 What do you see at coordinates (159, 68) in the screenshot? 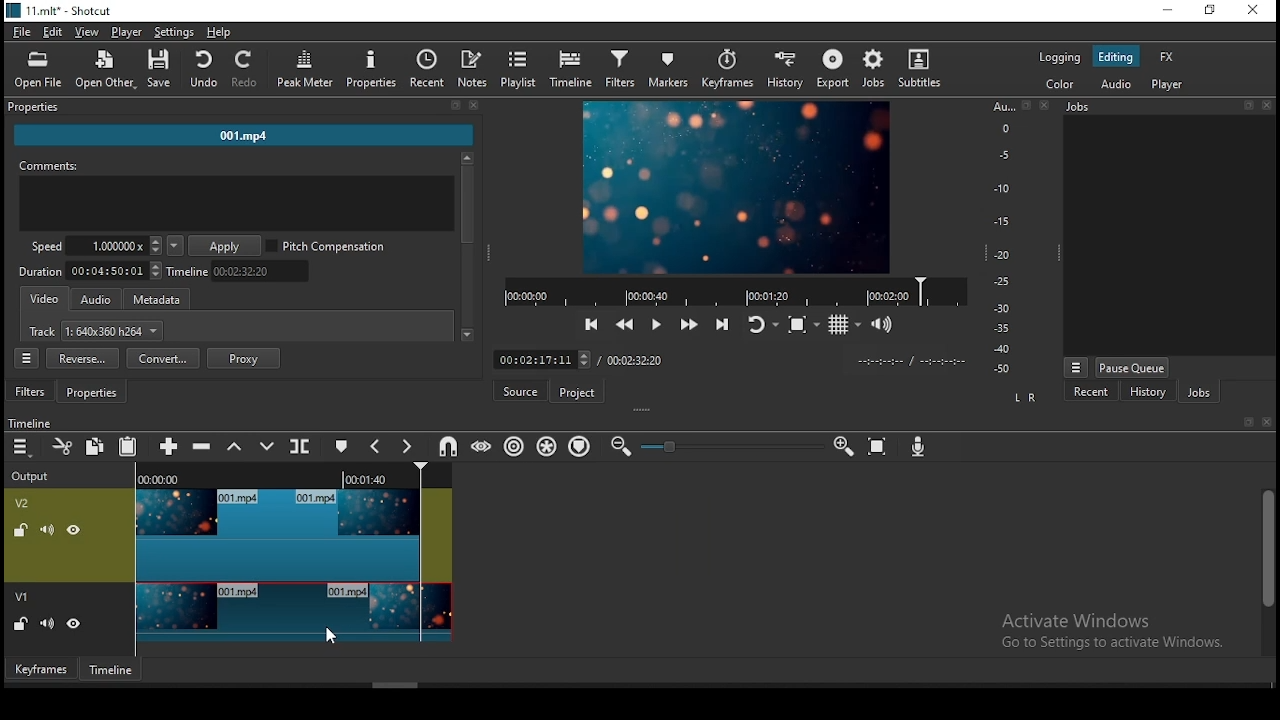
I see `save` at bounding box center [159, 68].